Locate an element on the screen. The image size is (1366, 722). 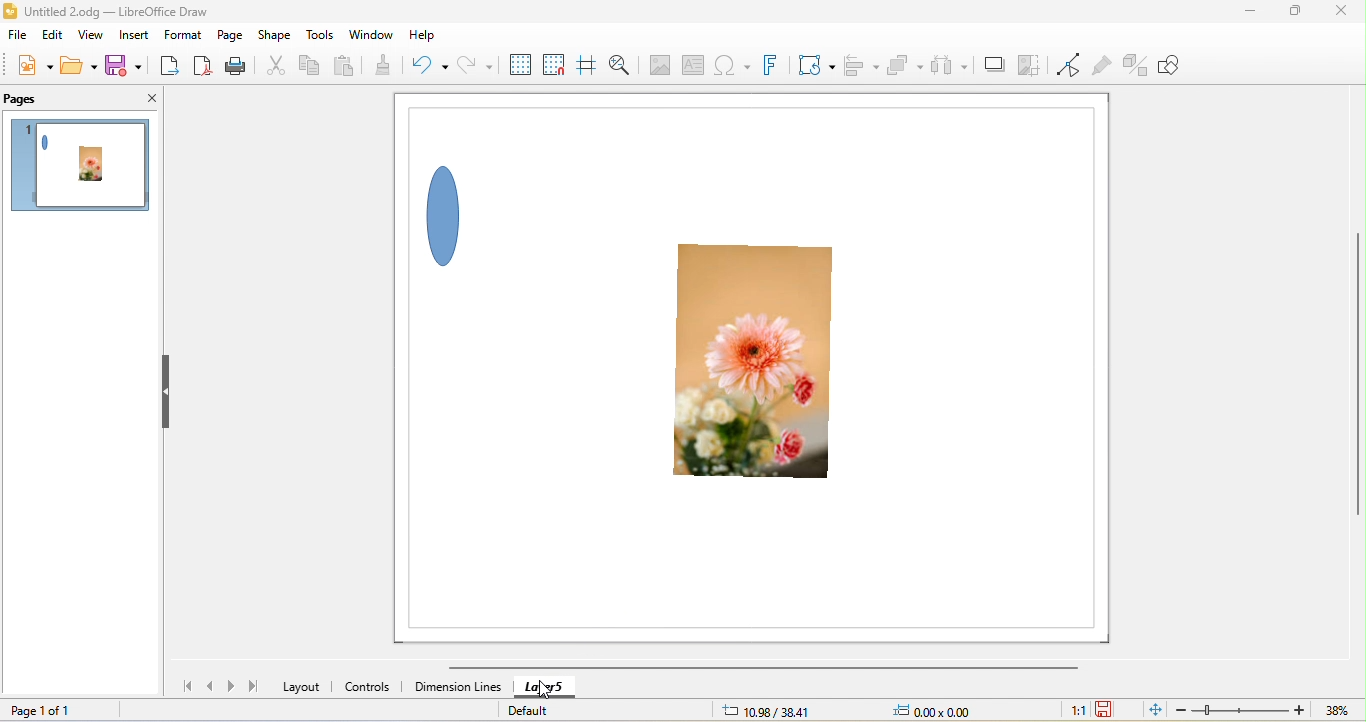
first page is located at coordinates (181, 685).